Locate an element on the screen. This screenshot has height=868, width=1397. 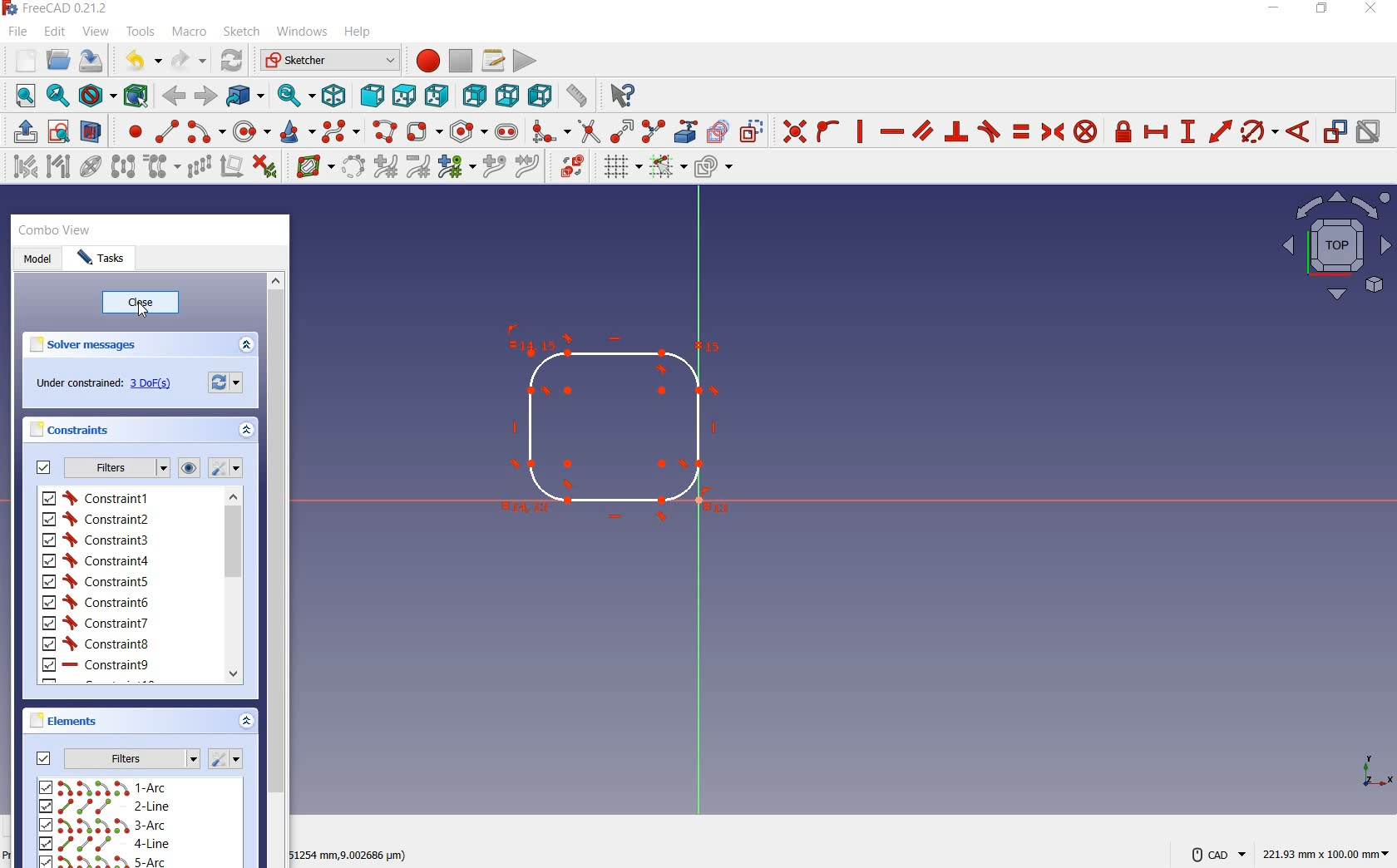
remove axes alignment is located at coordinates (231, 167).